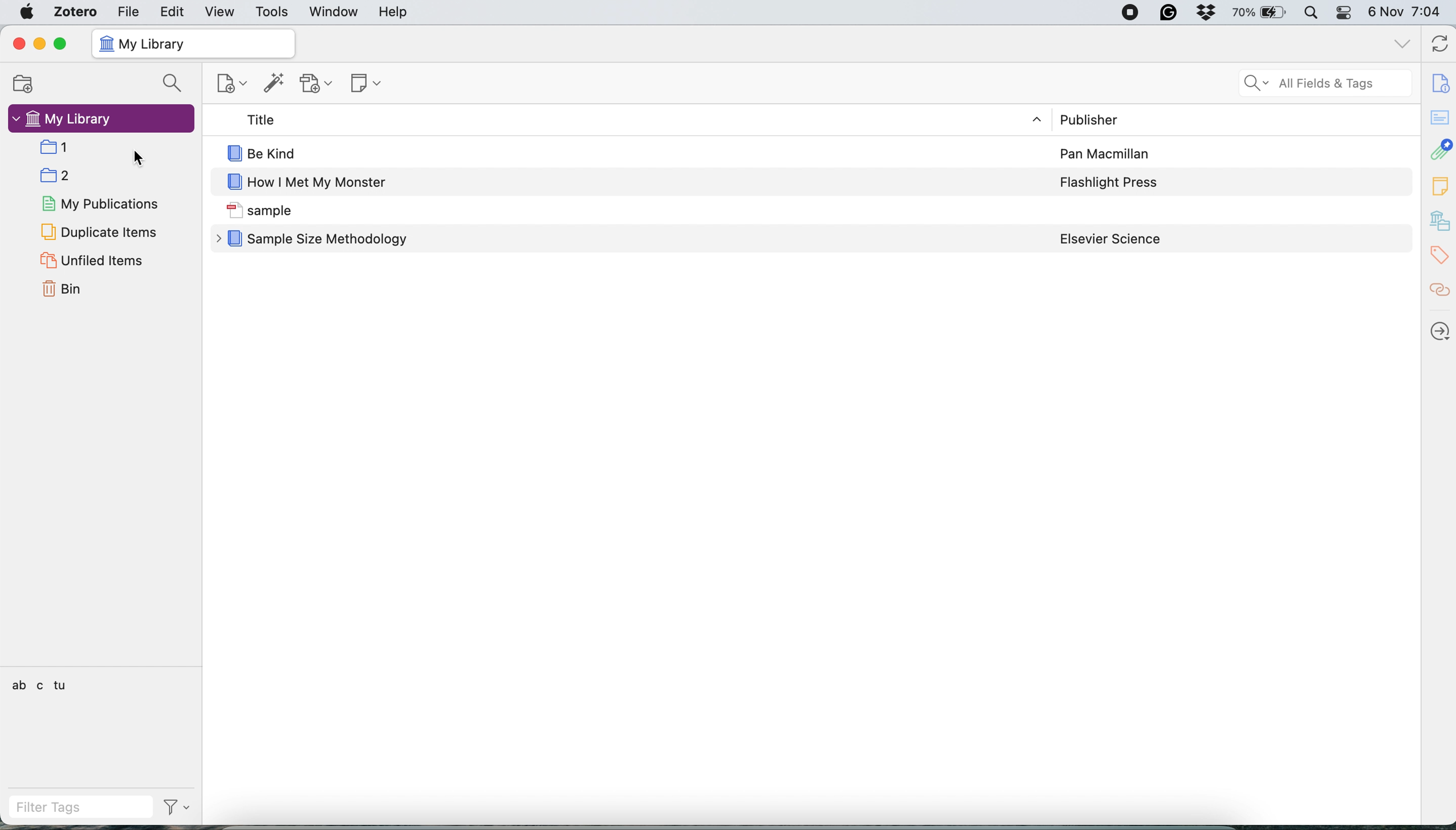 Image resolution: width=1456 pixels, height=830 pixels. What do you see at coordinates (1439, 186) in the screenshot?
I see `note` at bounding box center [1439, 186].